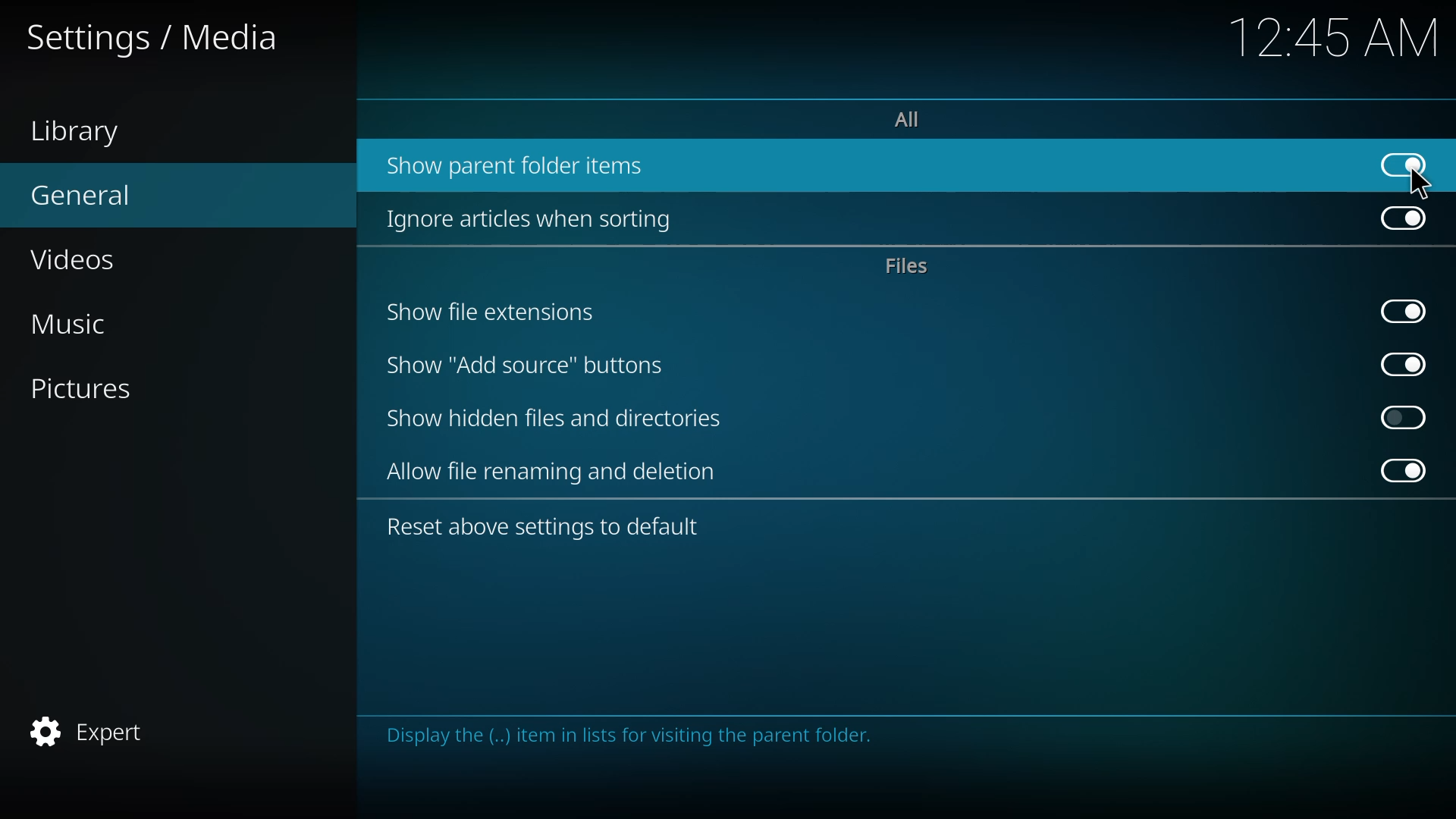 The width and height of the screenshot is (1456, 819). I want to click on files, so click(907, 266).